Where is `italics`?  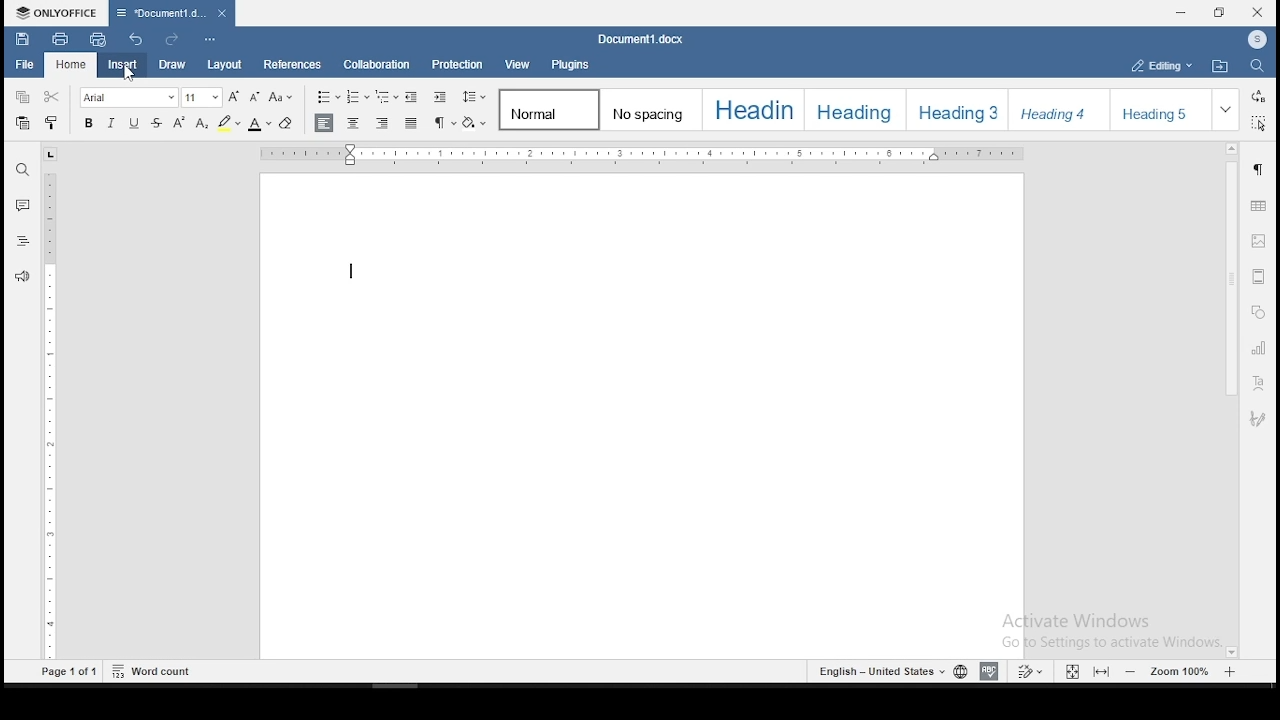 italics is located at coordinates (113, 122).